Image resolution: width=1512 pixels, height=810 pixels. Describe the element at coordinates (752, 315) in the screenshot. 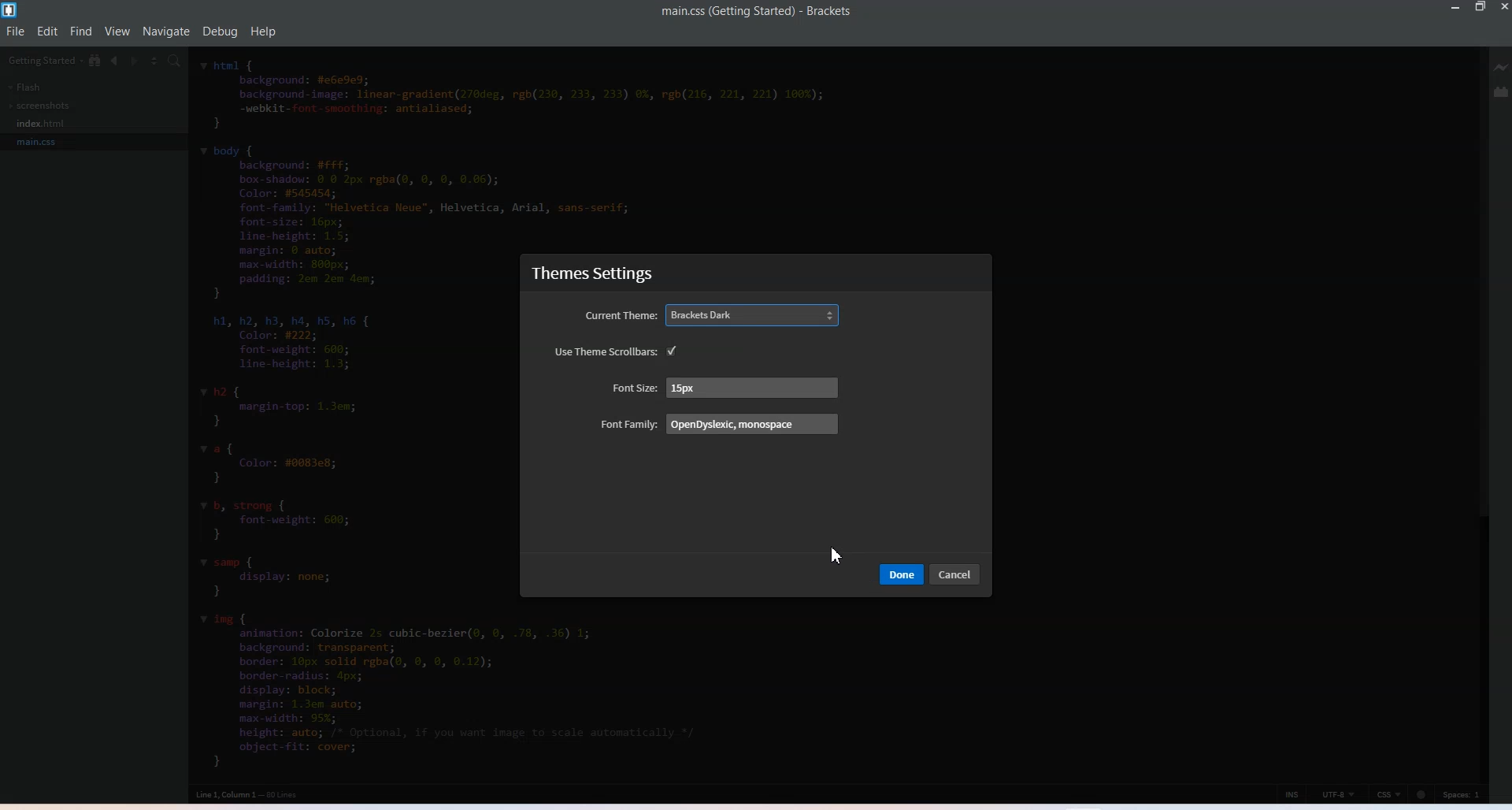

I see `Brackets dark` at that location.